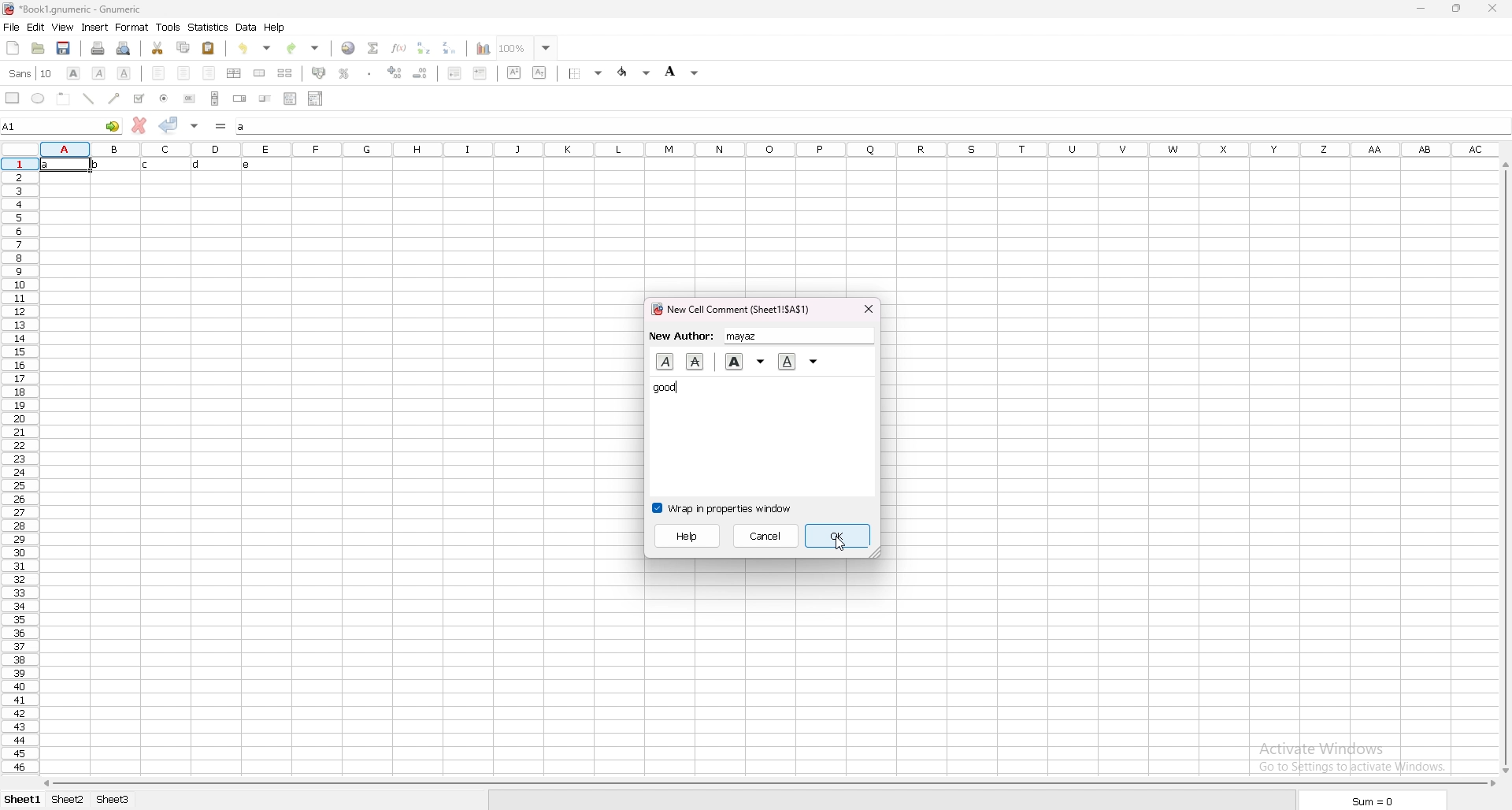  What do you see at coordinates (188, 98) in the screenshot?
I see `button` at bounding box center [188, 98].